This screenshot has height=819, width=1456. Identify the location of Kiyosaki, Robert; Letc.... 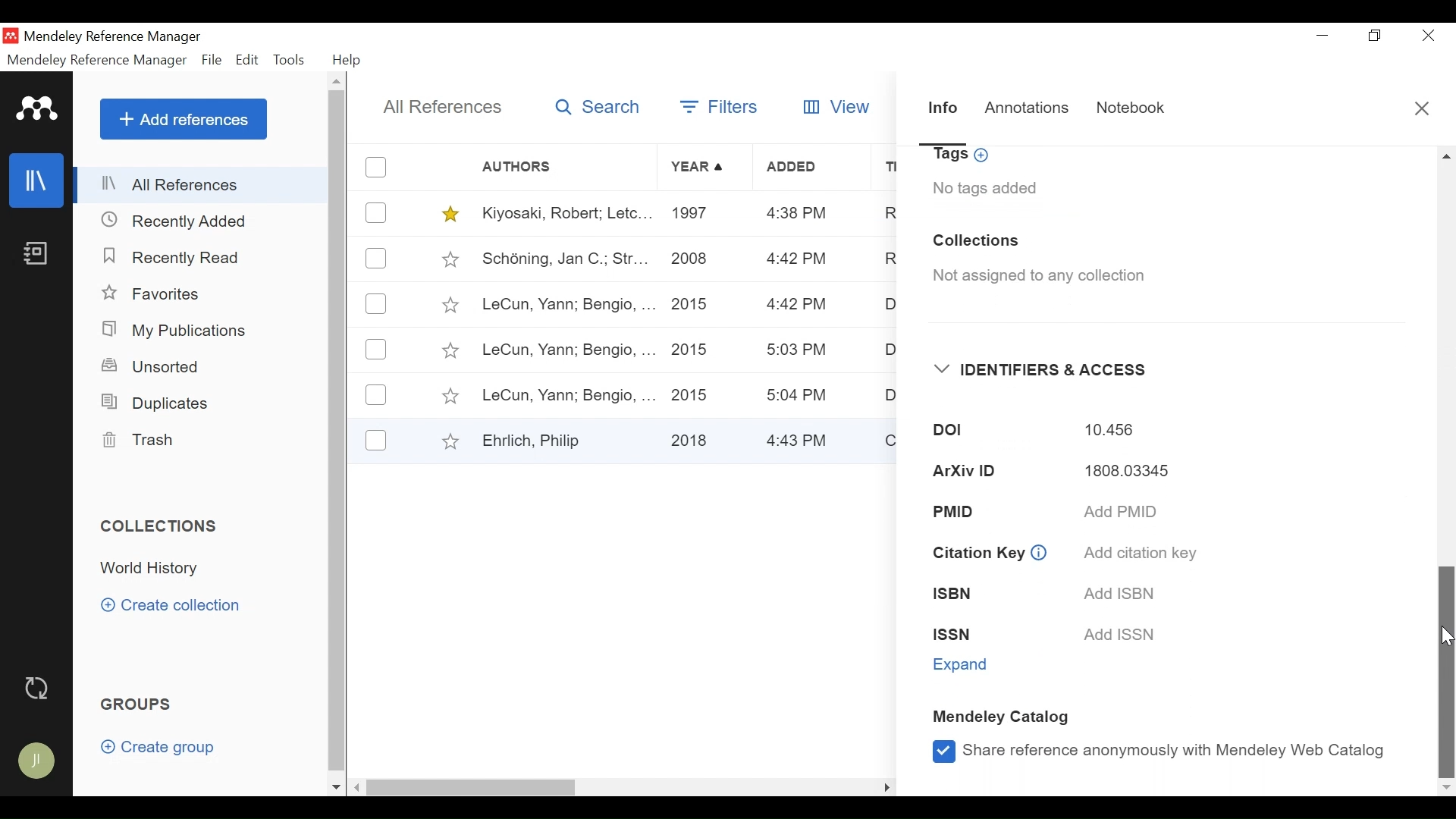
(564, 214).